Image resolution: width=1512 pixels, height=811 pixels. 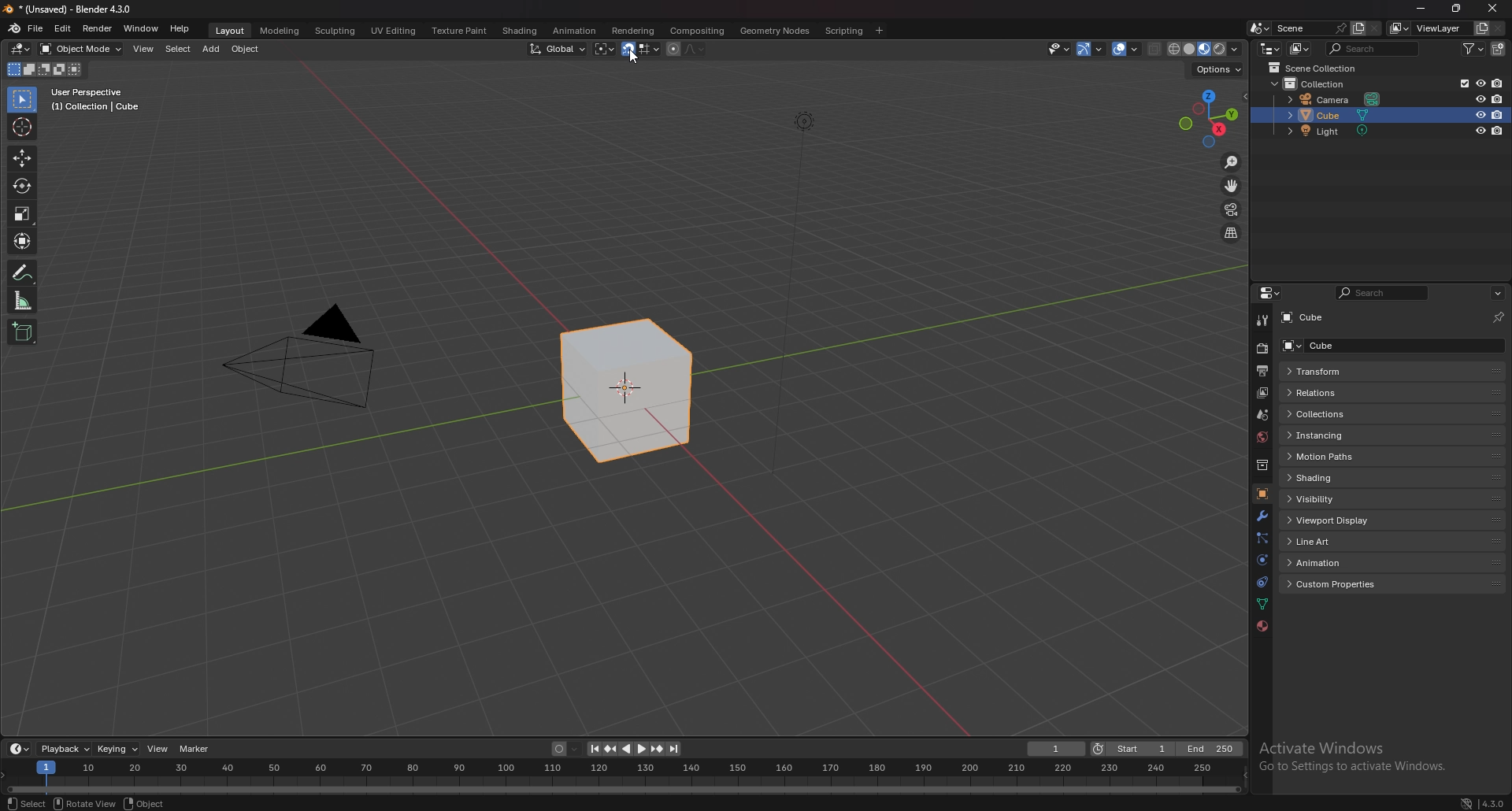 What do you see at coordinates (1497, 293) in the screenshot?
I see `options` at bounding box center [1497, 293].